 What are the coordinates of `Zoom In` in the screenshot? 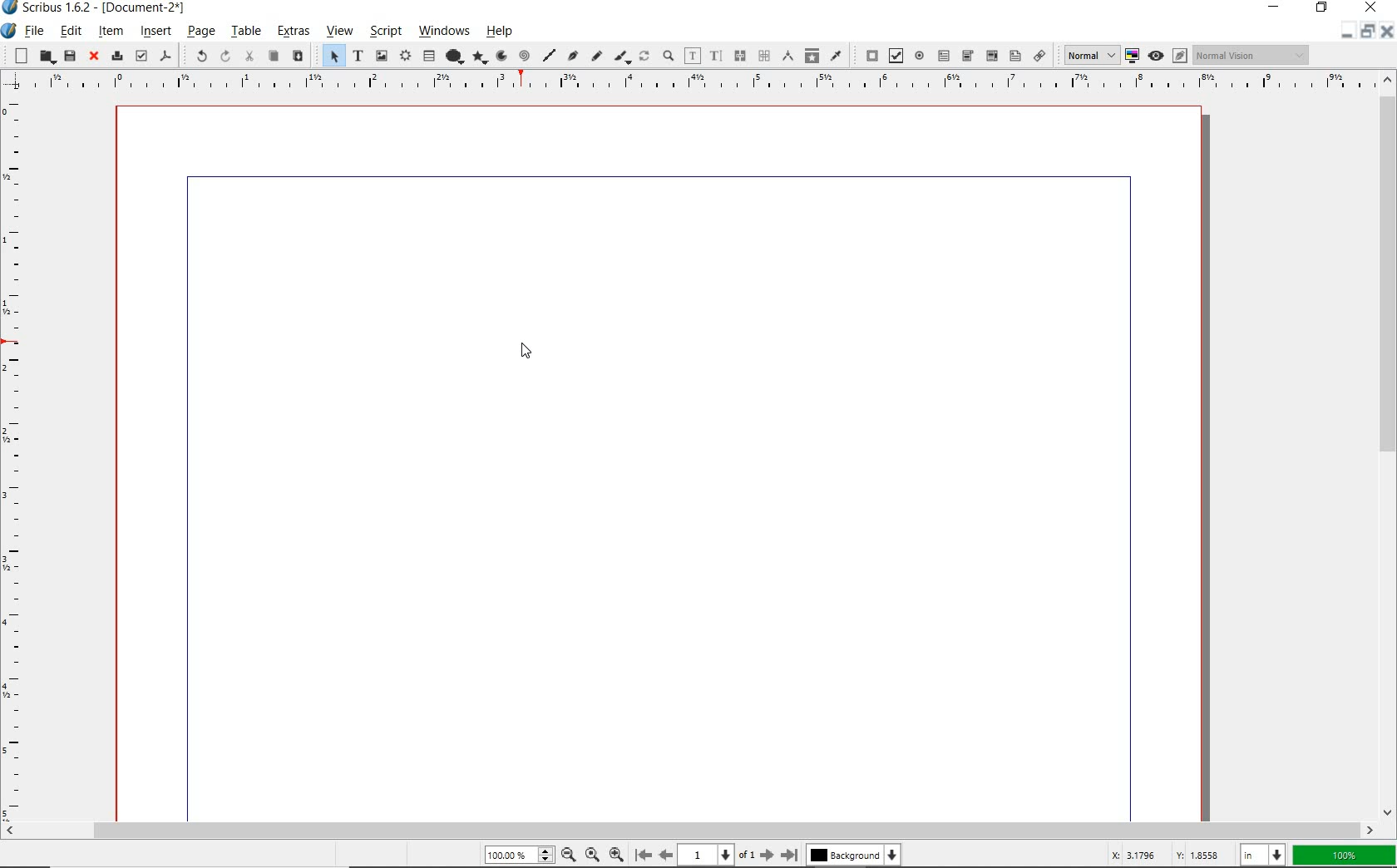 It's located at (618, 854).